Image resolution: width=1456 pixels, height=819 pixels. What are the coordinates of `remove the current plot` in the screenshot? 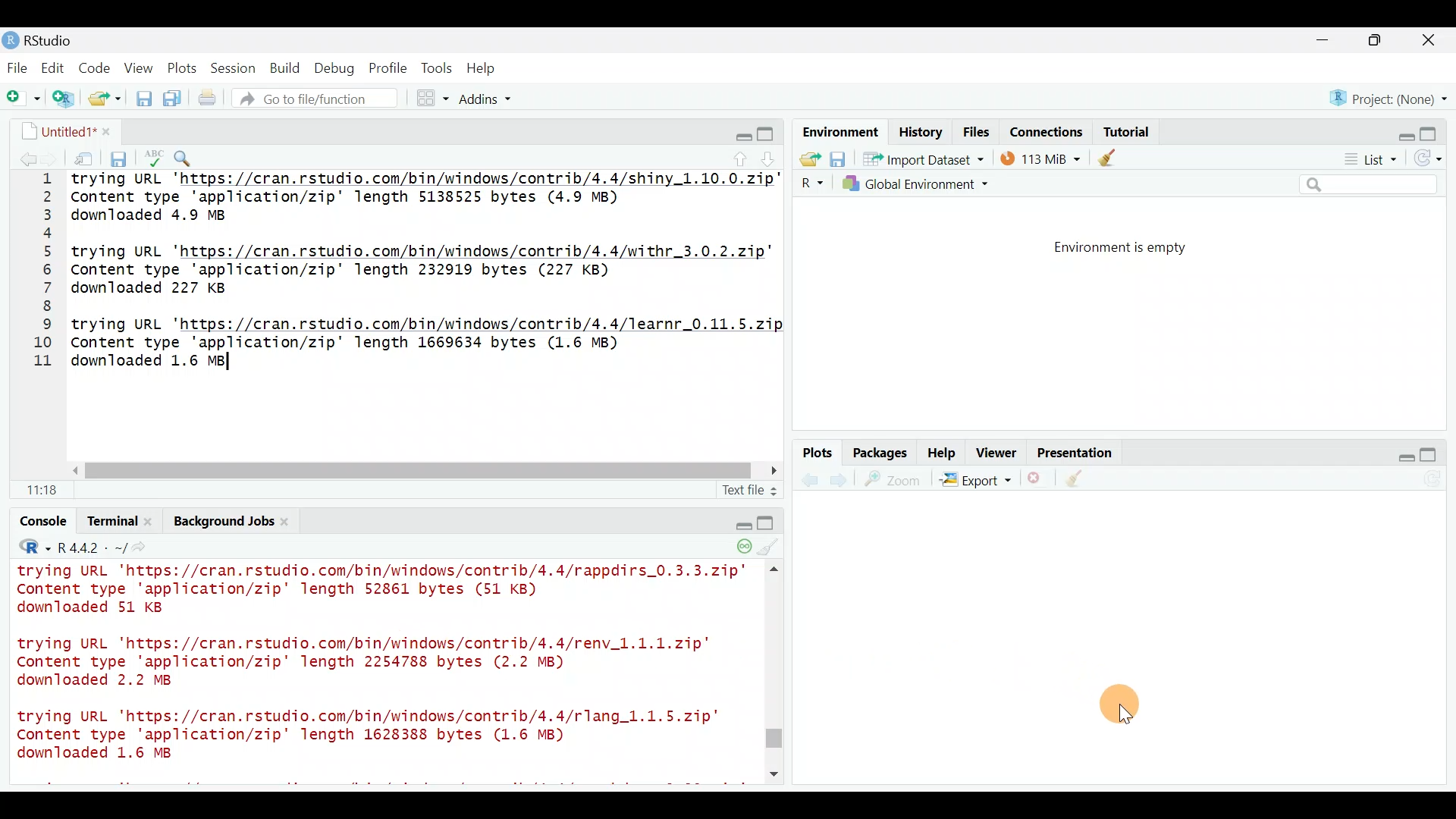 It's located at (1037, 482).